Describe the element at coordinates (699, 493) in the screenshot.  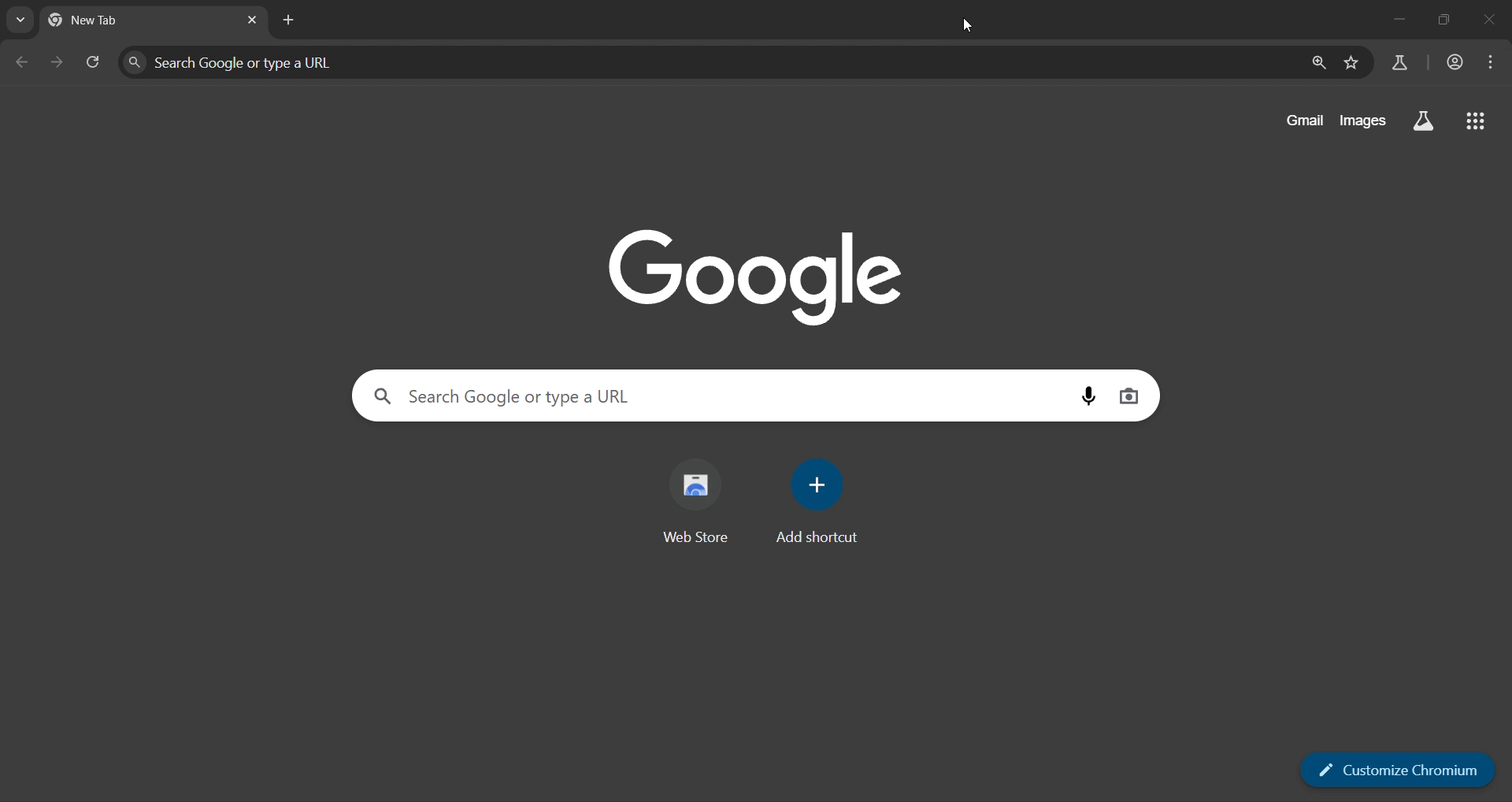
I see `web store` at that location.